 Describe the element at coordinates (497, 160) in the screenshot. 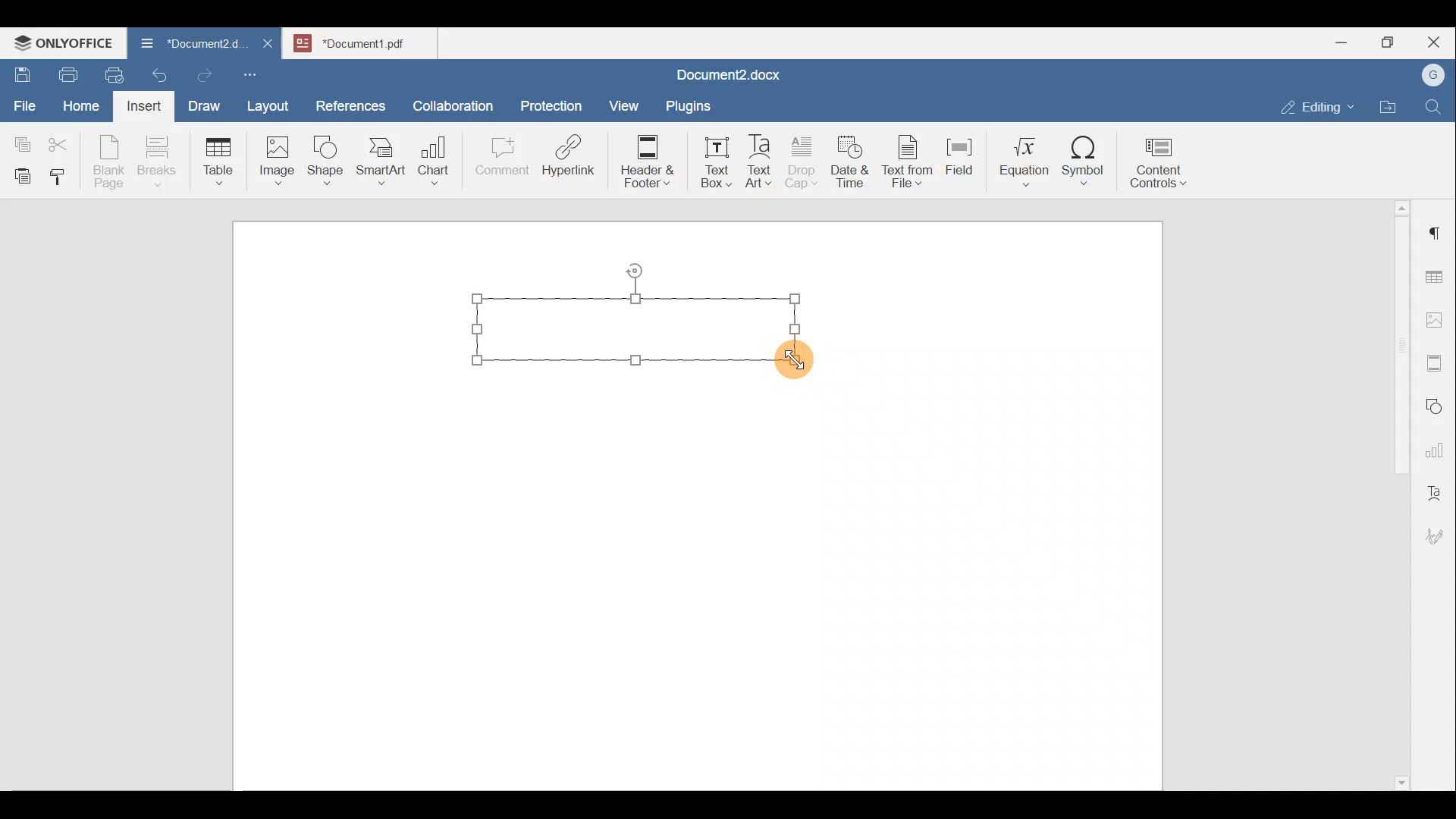

I see `Comment` at that location.